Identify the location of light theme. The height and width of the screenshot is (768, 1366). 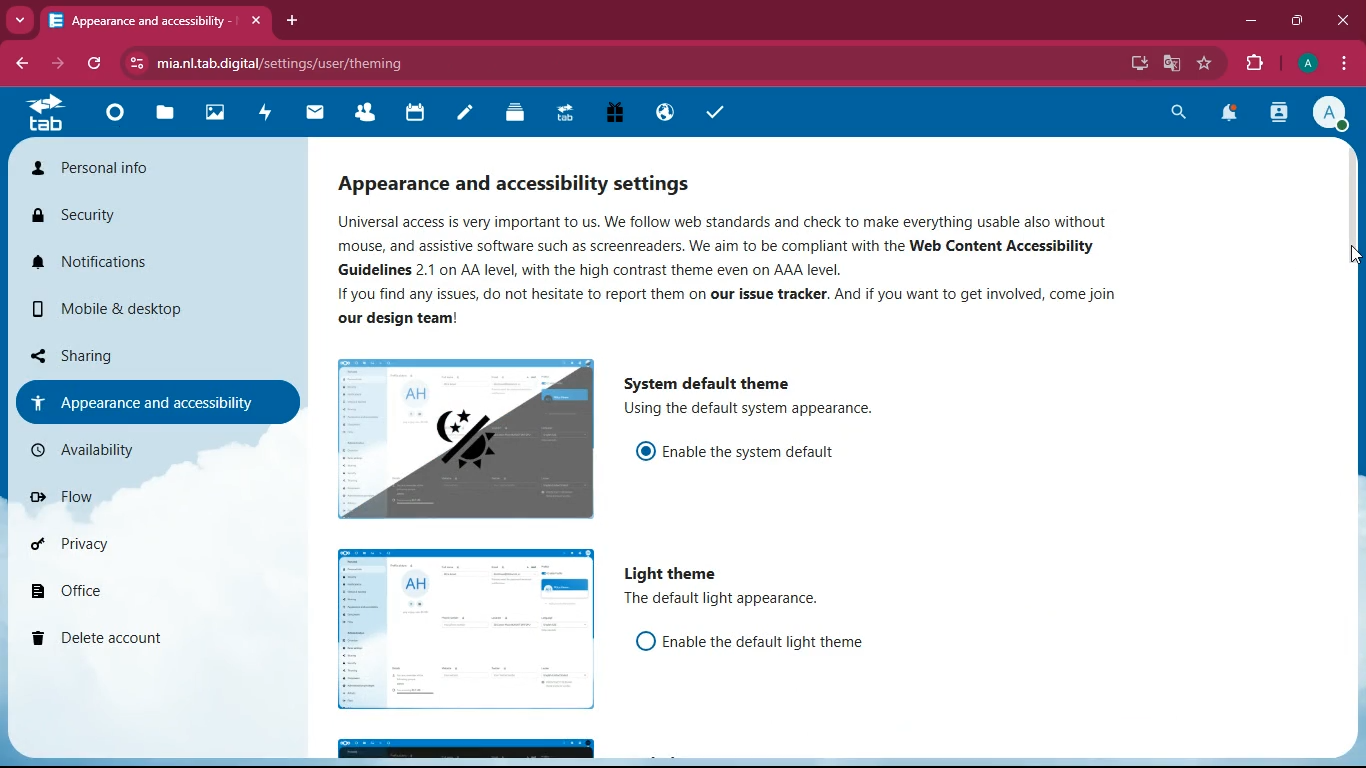
(678, 573).